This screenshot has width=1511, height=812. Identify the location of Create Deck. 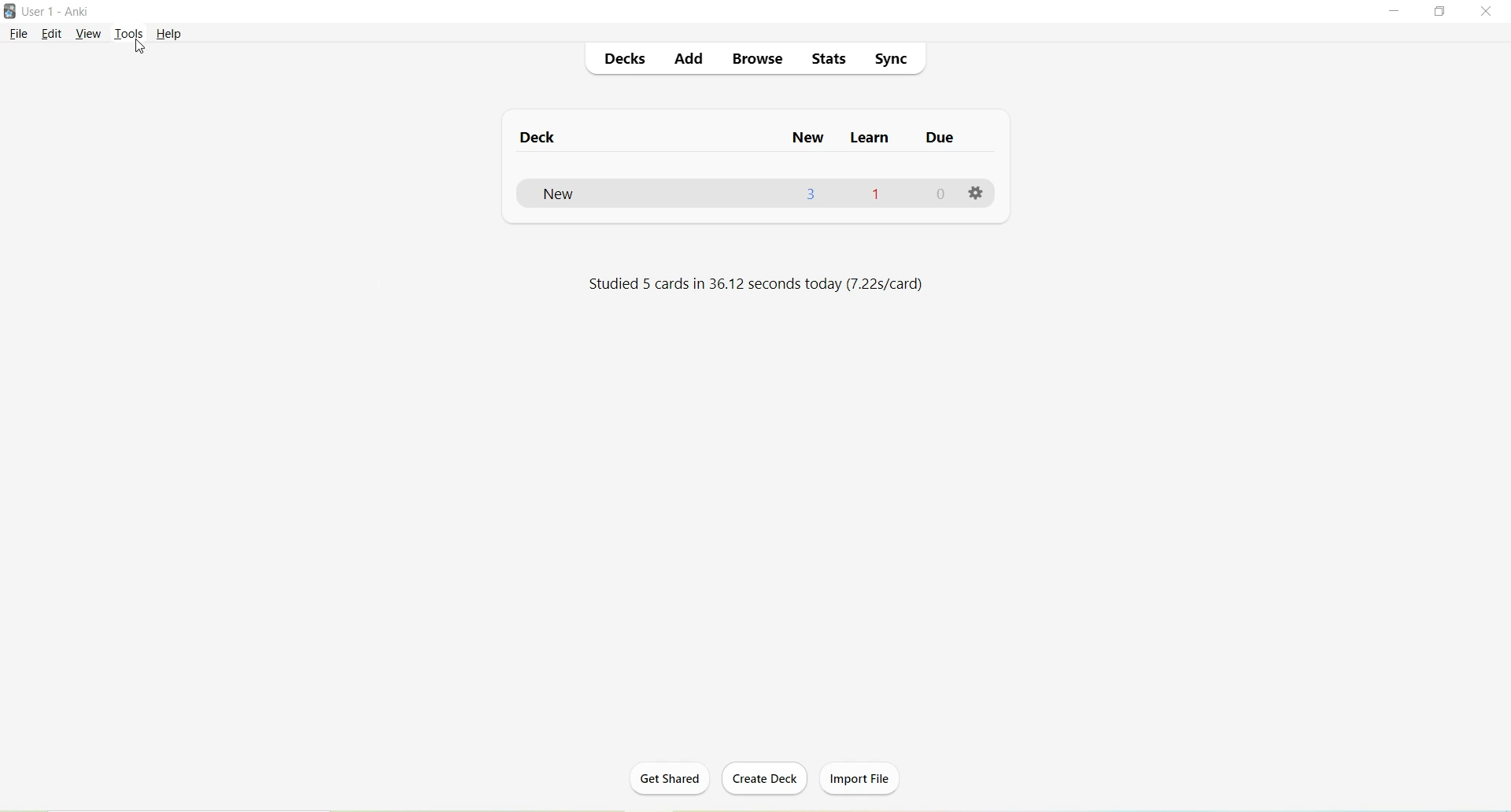
(768, 780).